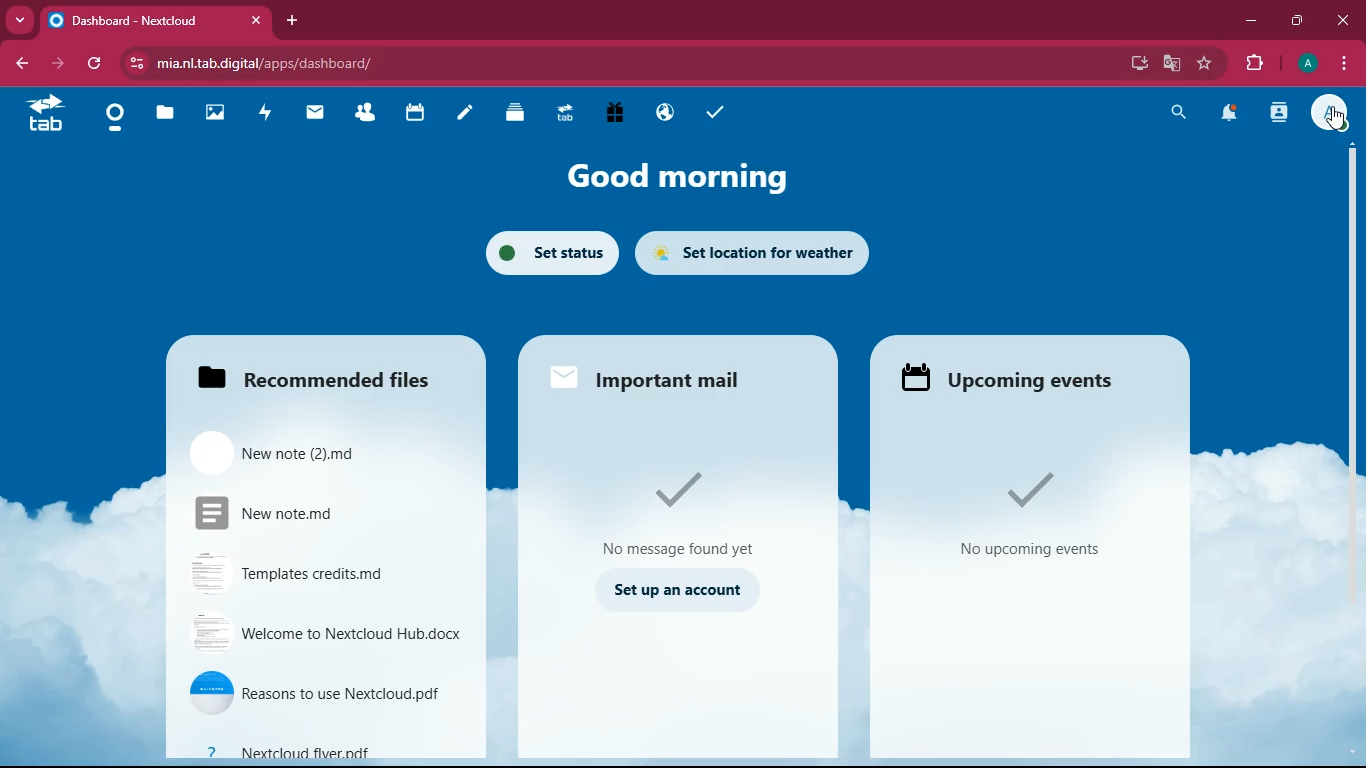  I want to click on home, so click(115, 121).